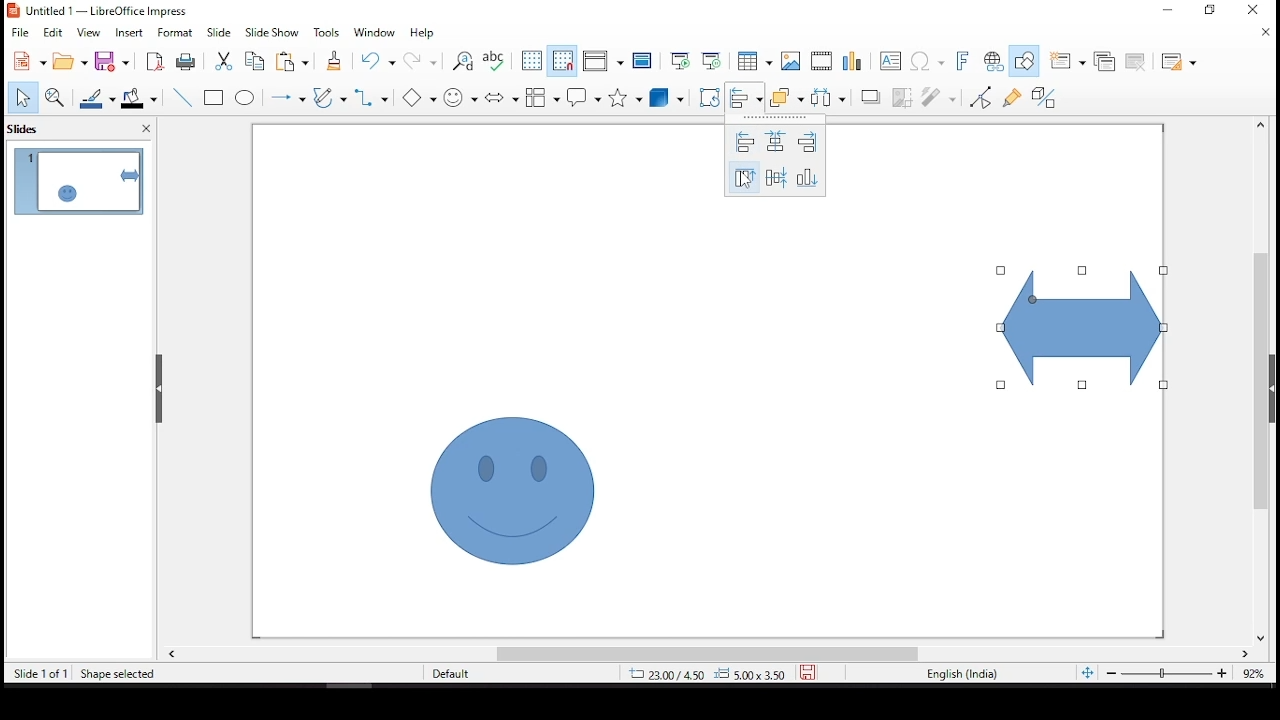  Describe the element at coordinates (219, 32) in the screenshot. I see `slide` at that location.